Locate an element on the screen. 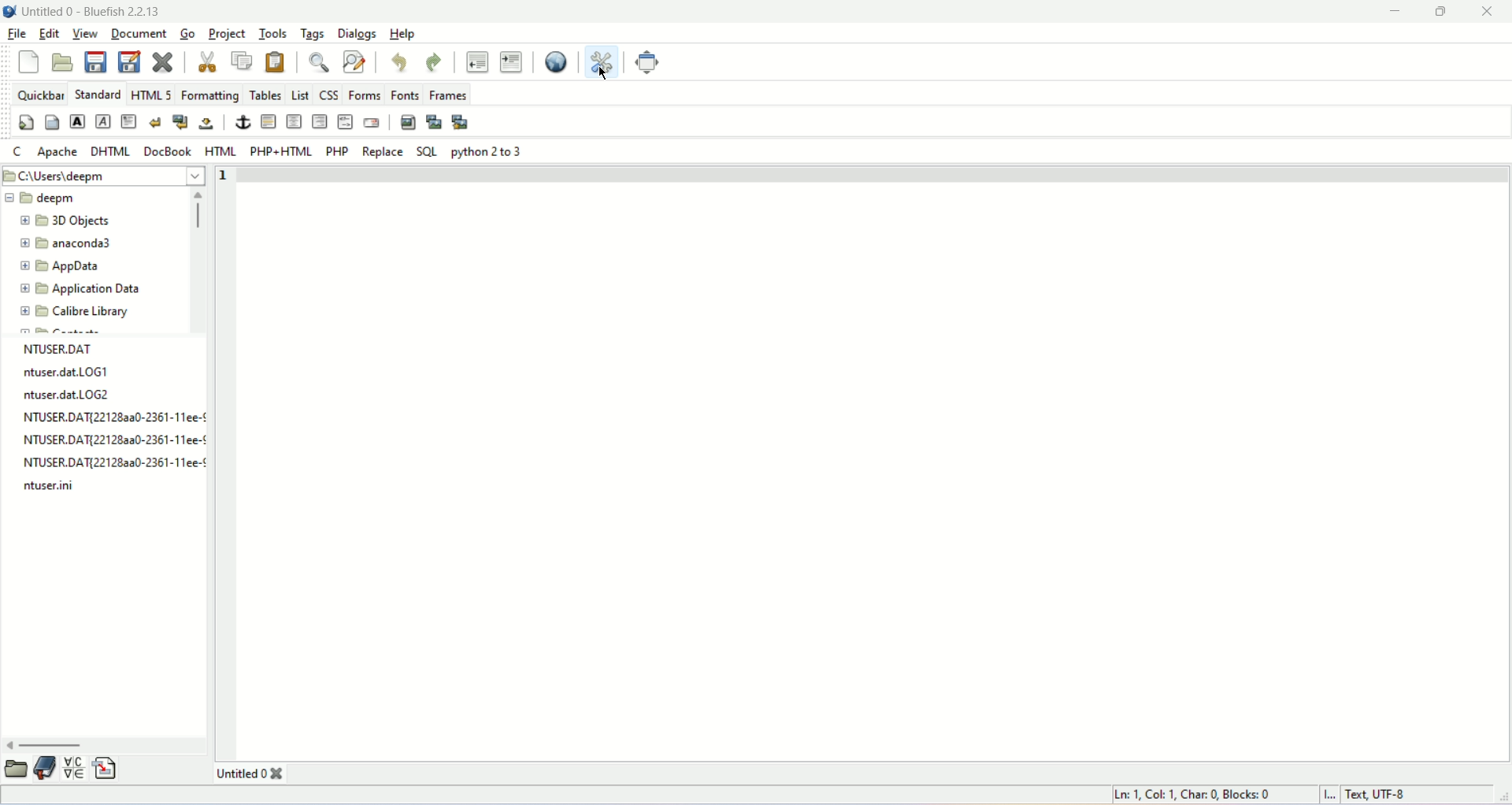  project is located at coordinates (224, 32).